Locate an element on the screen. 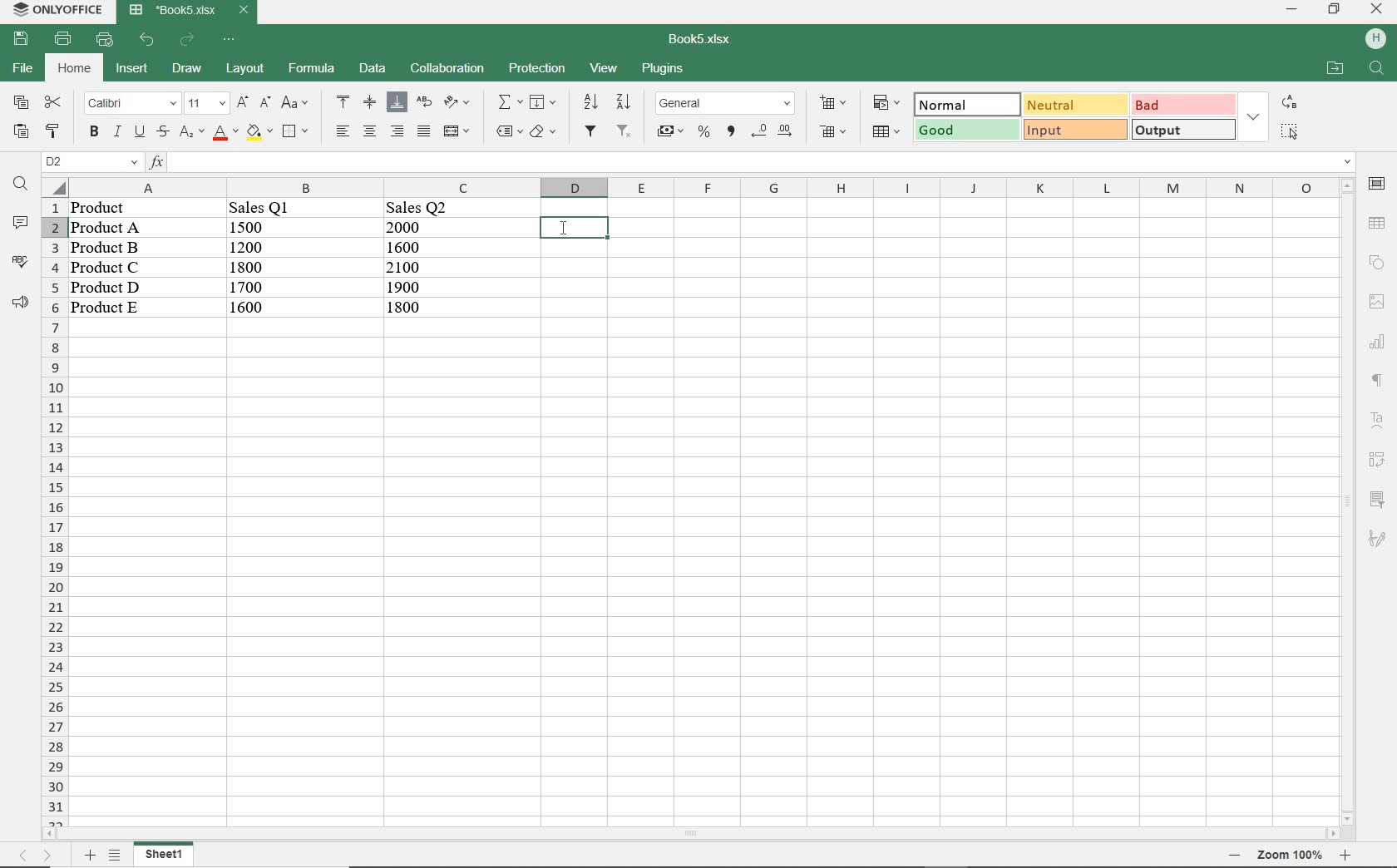  copy is located at coordinates (21, 101).